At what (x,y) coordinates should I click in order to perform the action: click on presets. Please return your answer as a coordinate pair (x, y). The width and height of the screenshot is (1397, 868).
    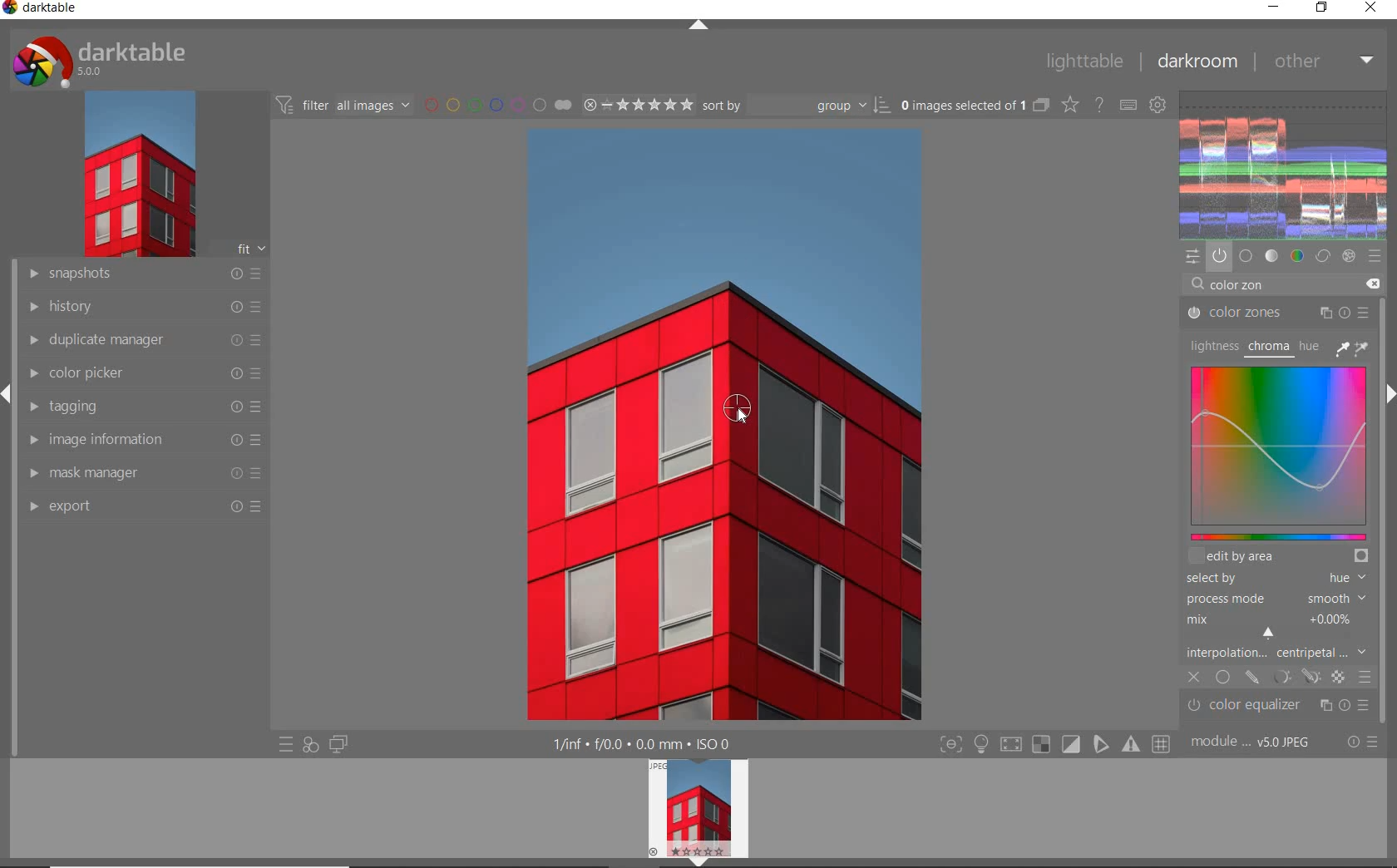
    Looking at the image, I should click on (1375, 254).